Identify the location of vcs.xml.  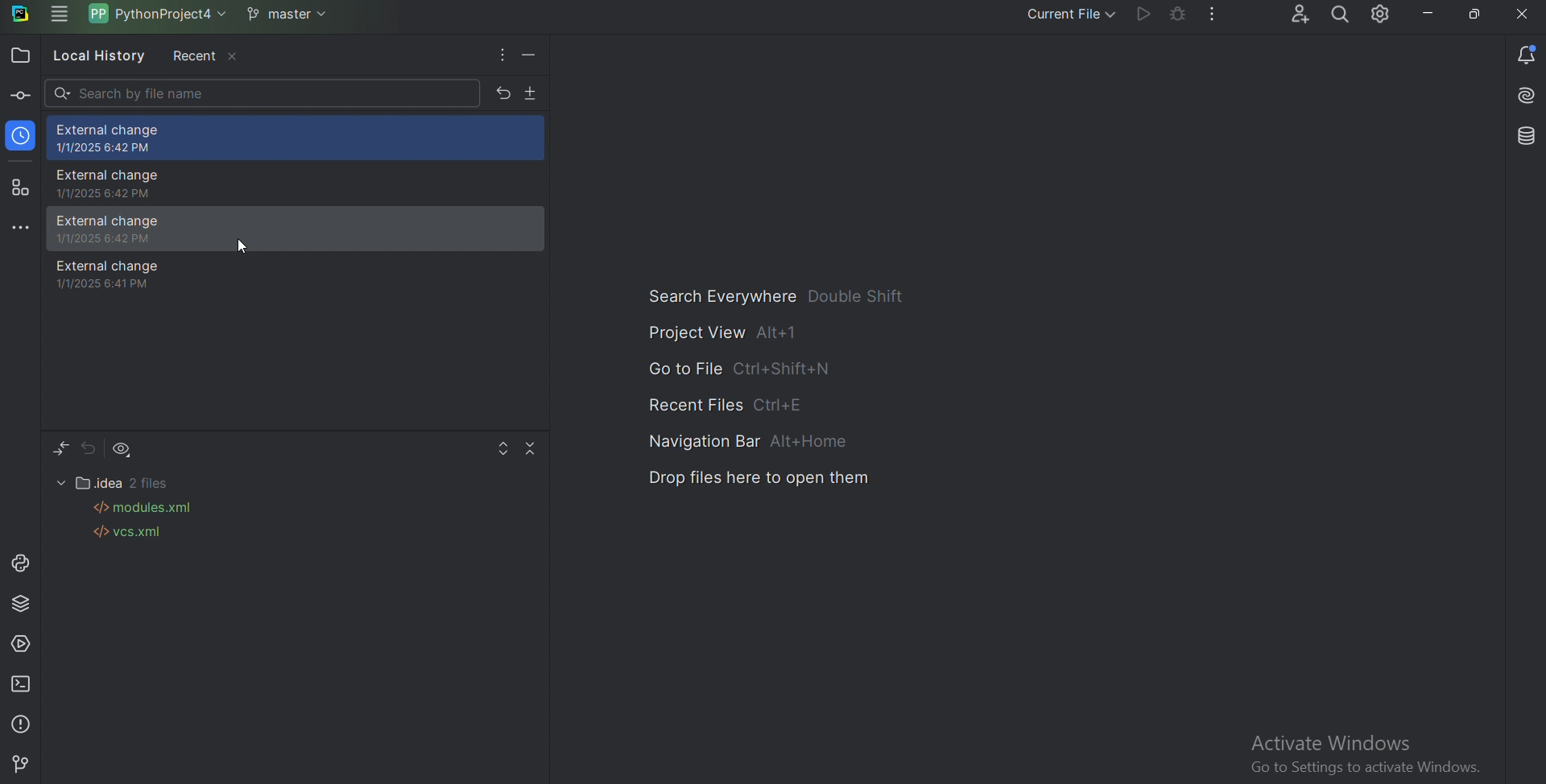
(126, 534).